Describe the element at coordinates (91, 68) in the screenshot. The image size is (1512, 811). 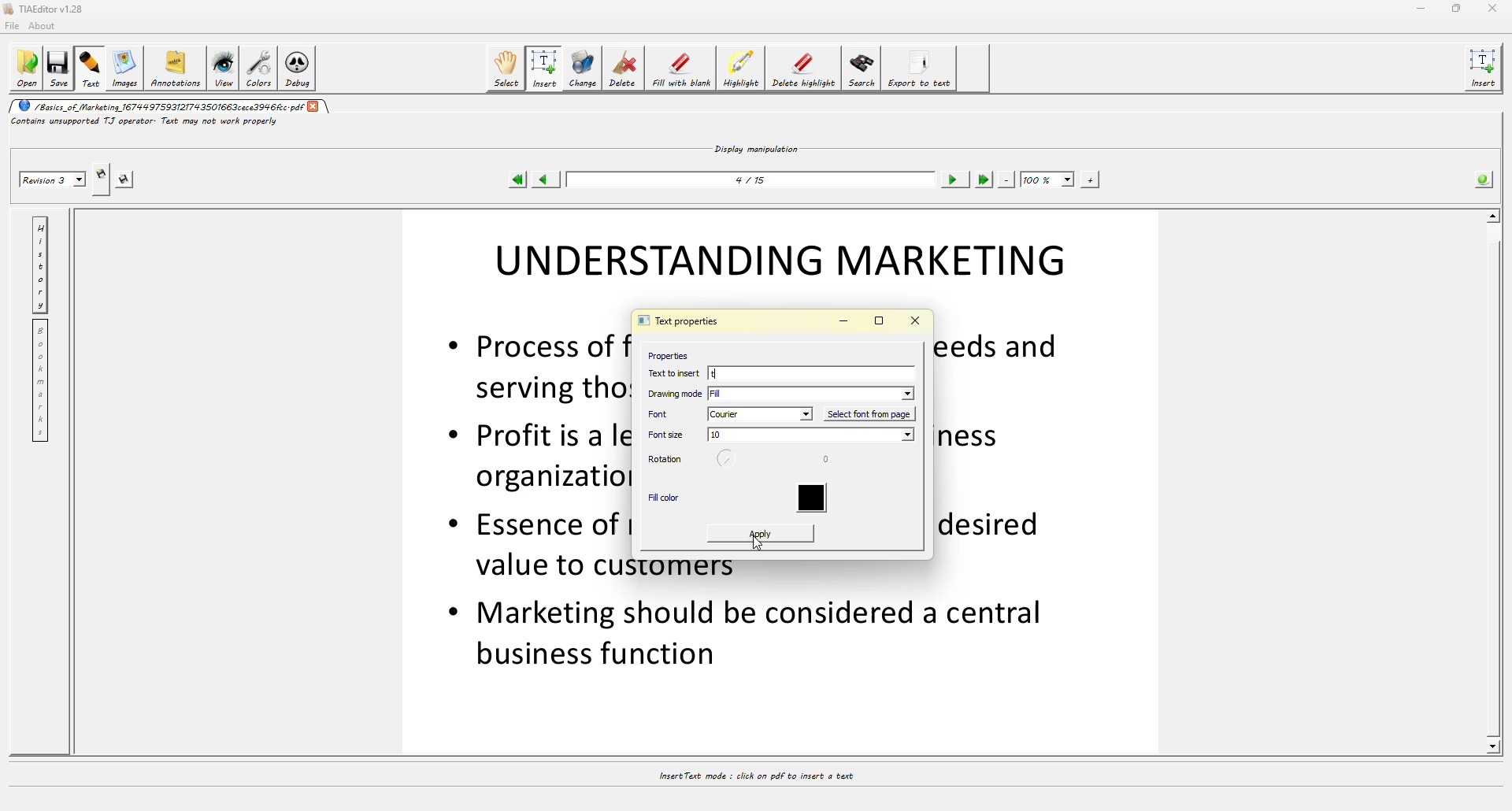
I see `text` at that location.